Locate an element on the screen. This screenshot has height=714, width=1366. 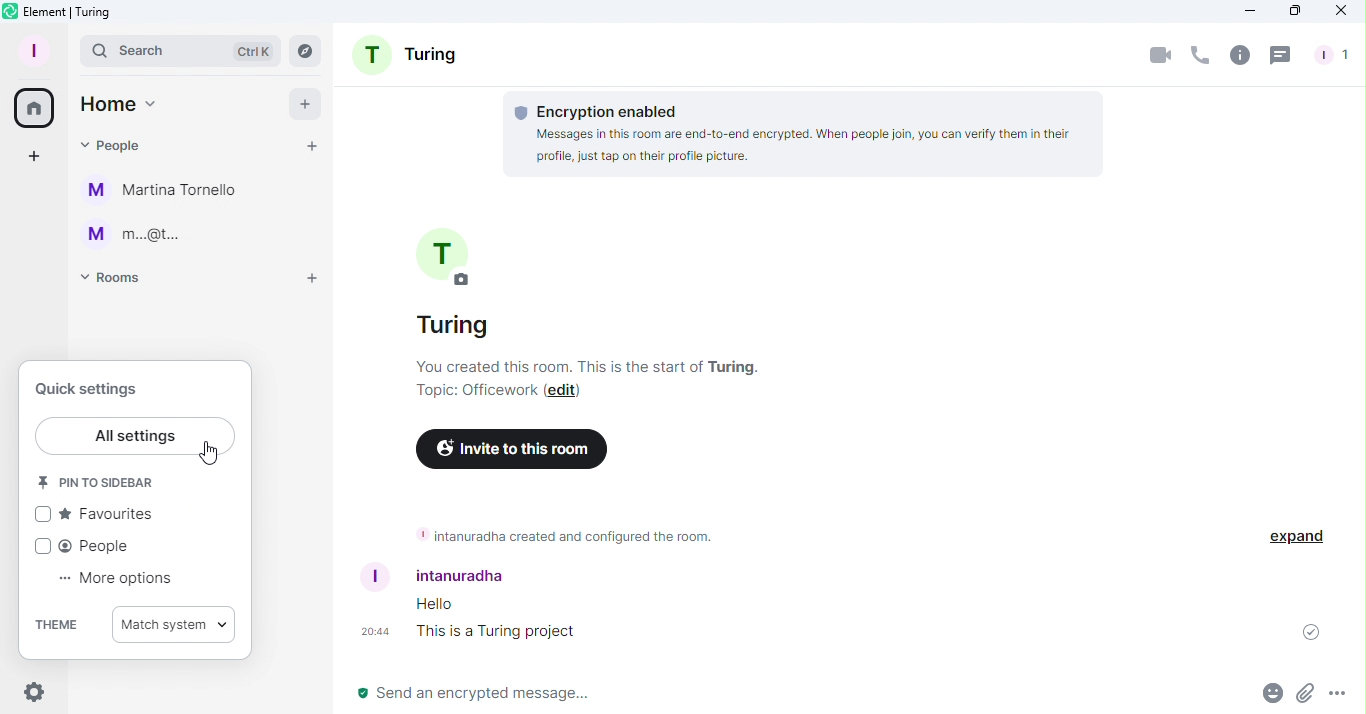
Match system is located at coordinates (175, 627).